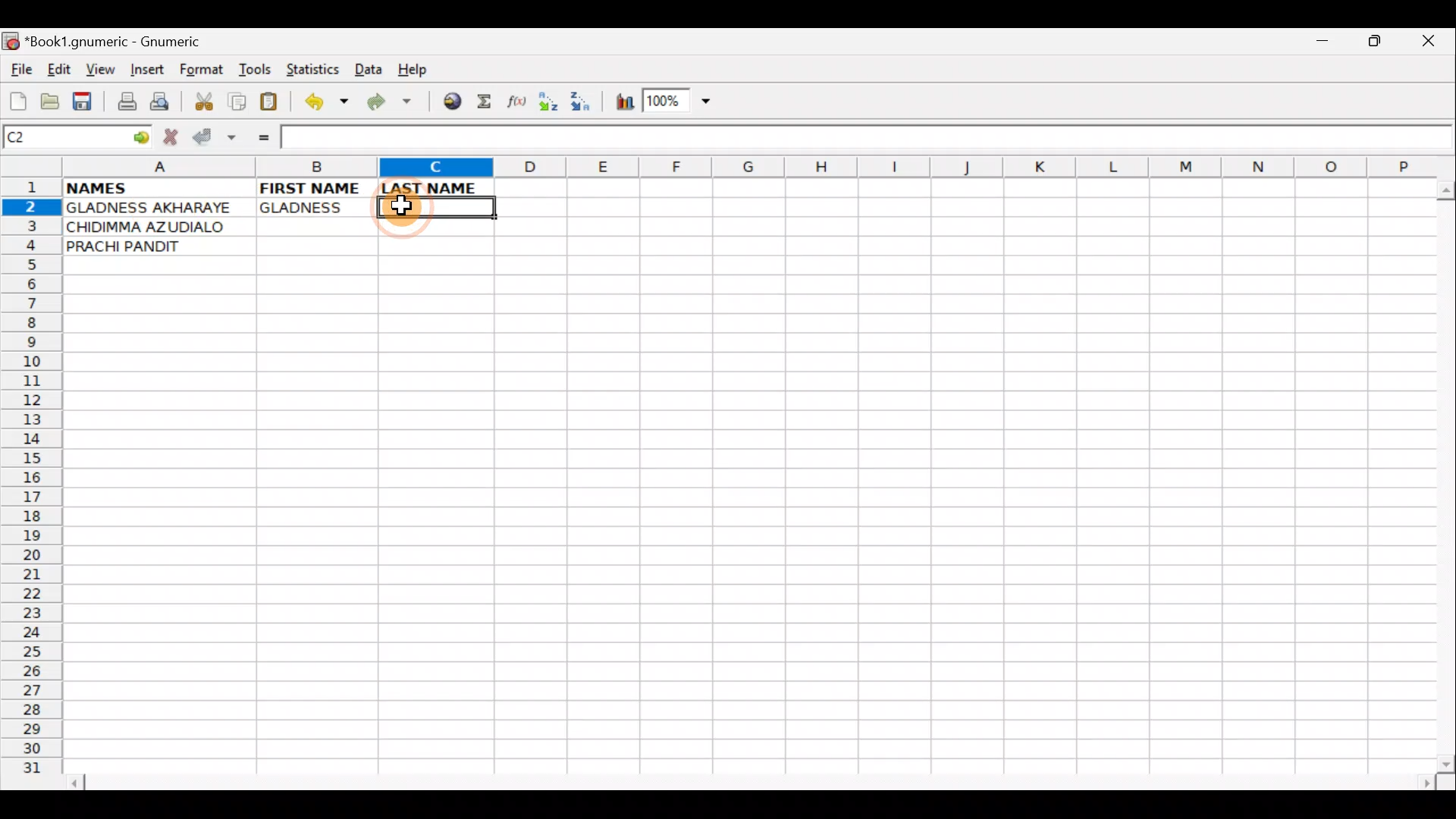  What do you see at coordinates (864, 138) in the screenshot?
I see `Formula bar` at bounding box center [864, 138].